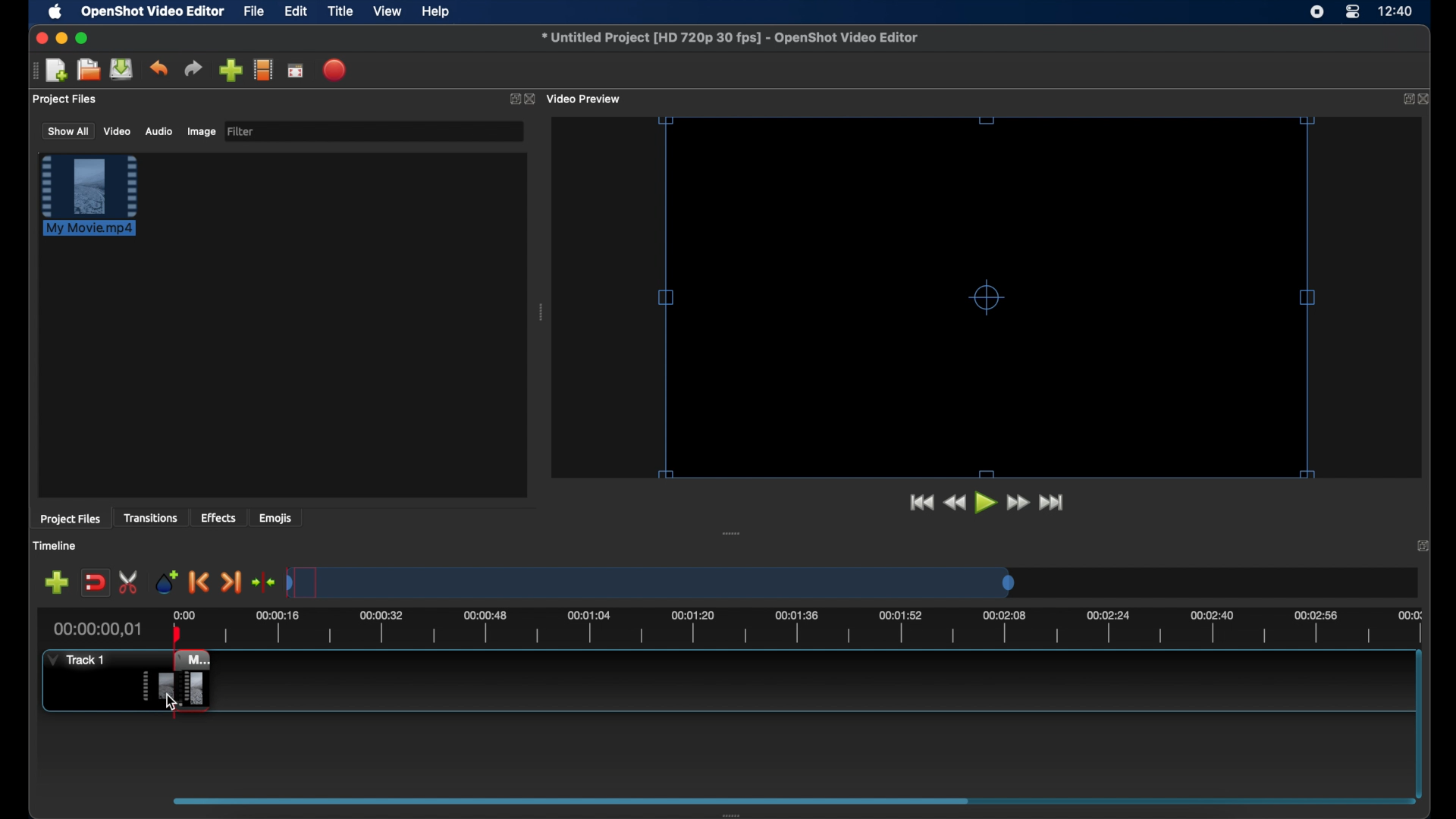 The image size is (1456, 819). Describe the element at coordinates (241, 130) in the screenshot. I see `filter` at that location.